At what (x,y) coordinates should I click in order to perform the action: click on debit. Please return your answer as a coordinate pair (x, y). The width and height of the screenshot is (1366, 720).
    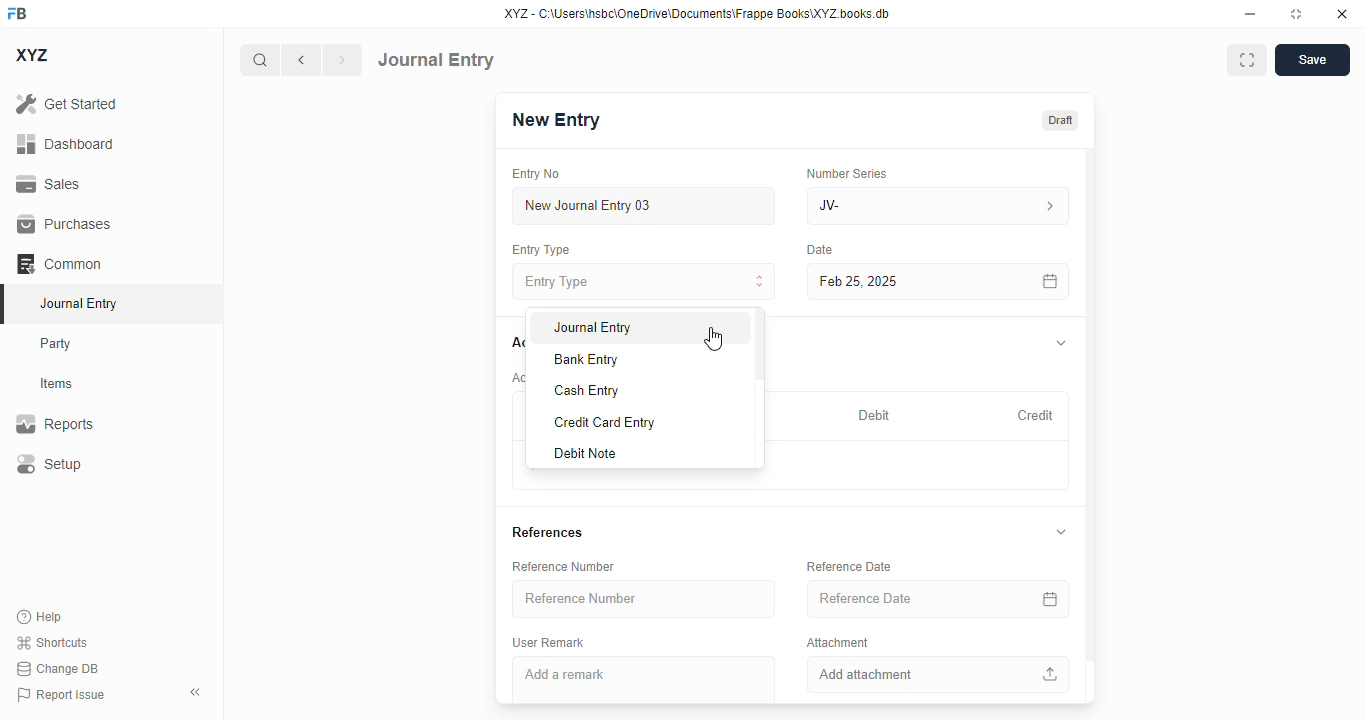
    Looking at the image, I should click on (875, 417).